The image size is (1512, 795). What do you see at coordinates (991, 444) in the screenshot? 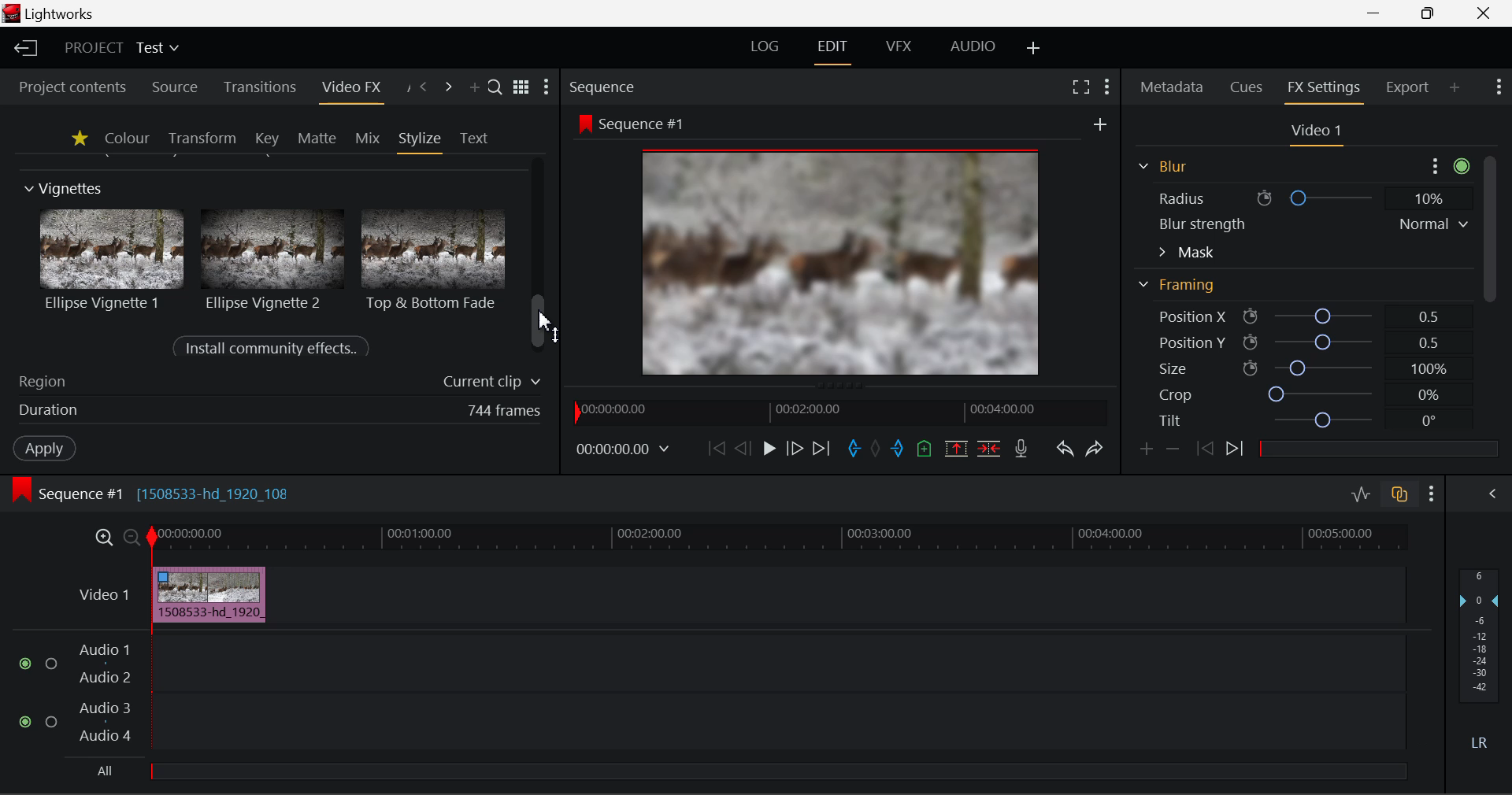
I see `Delete/Cut` at bounding box center [991, 444].